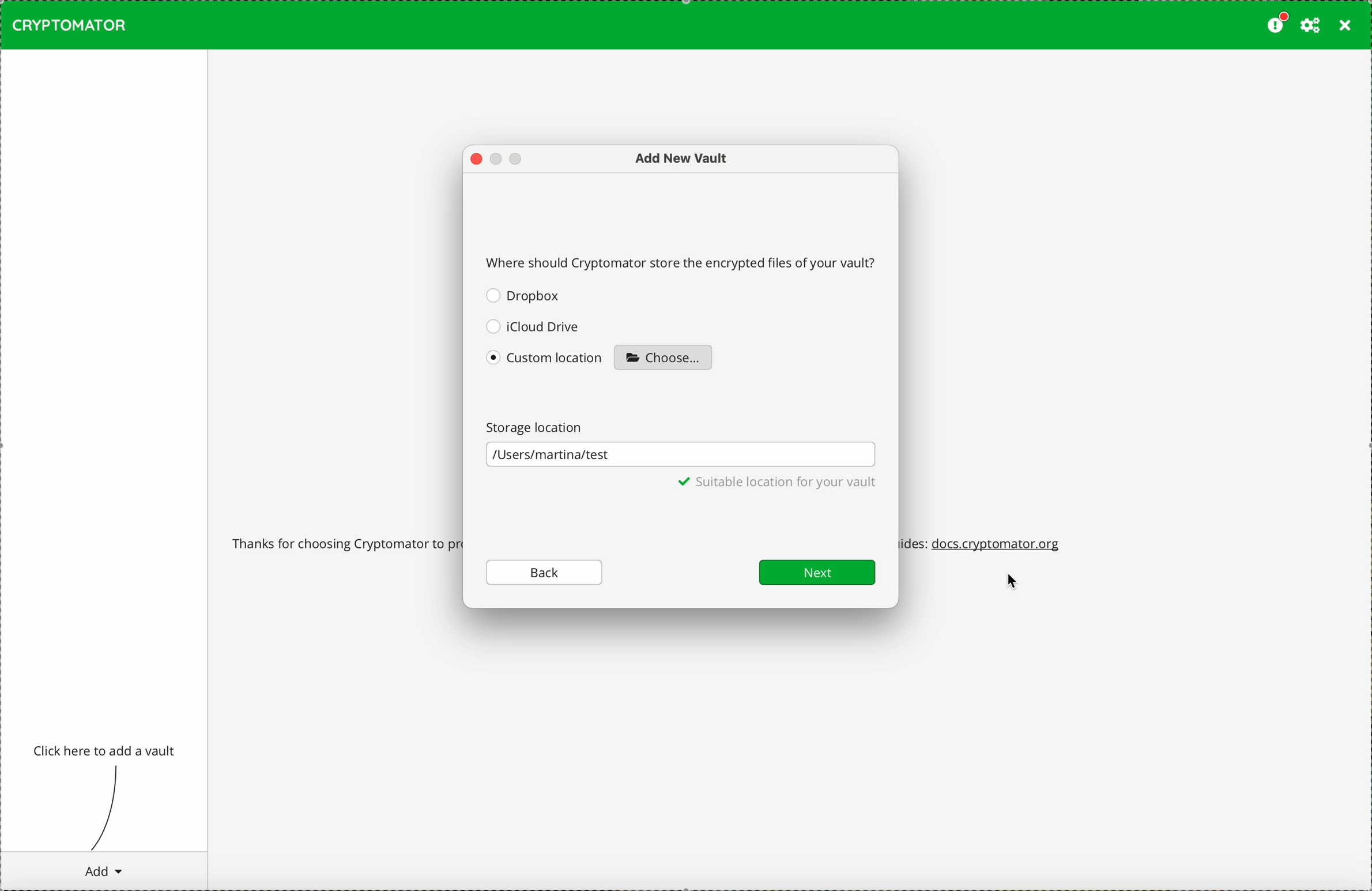 This screenshot has height=891, width=1372. Describe the element at coordinates (1276, 24) in the screenshot. I see `please consider donating` at that location.